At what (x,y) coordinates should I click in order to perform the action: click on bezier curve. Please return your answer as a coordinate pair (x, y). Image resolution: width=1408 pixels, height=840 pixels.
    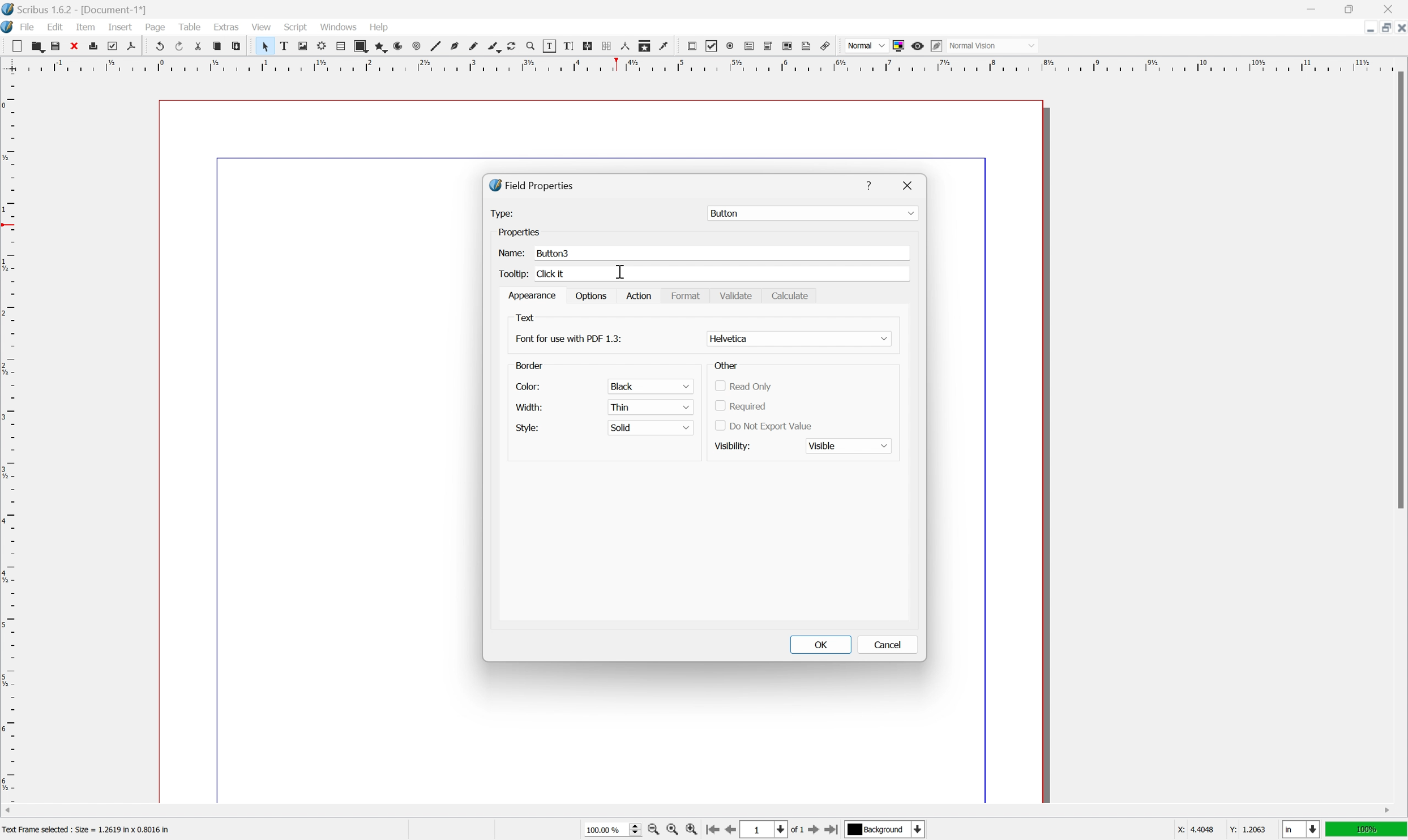
    Looking at the image, I should click on (453, 46).